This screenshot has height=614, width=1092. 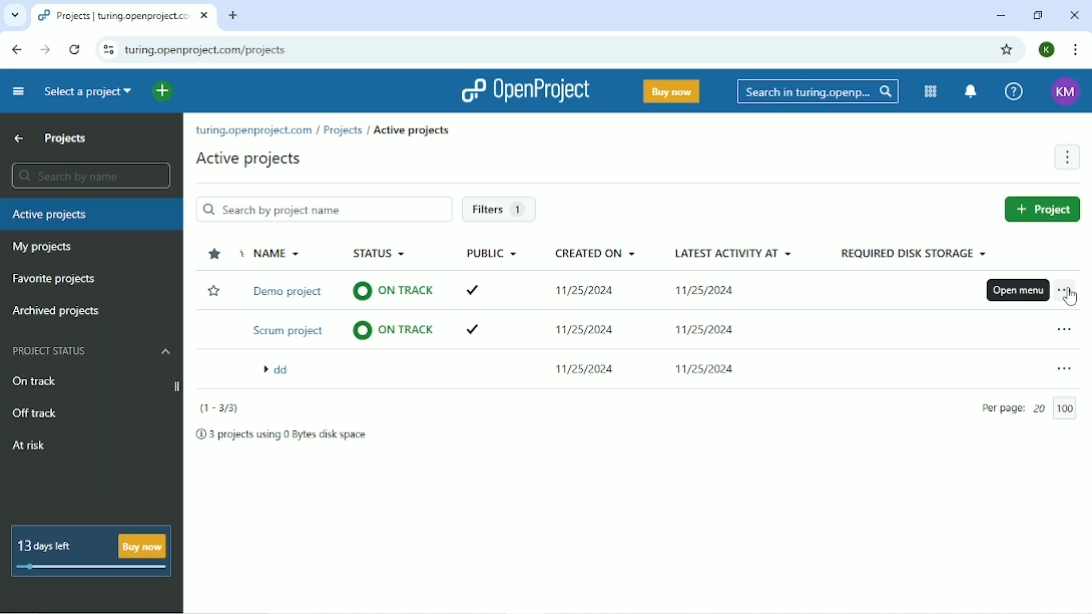 What do you see at coordinates (43, 50) in the screenshot?
I see `Forward` at bounding box center [43, 50].